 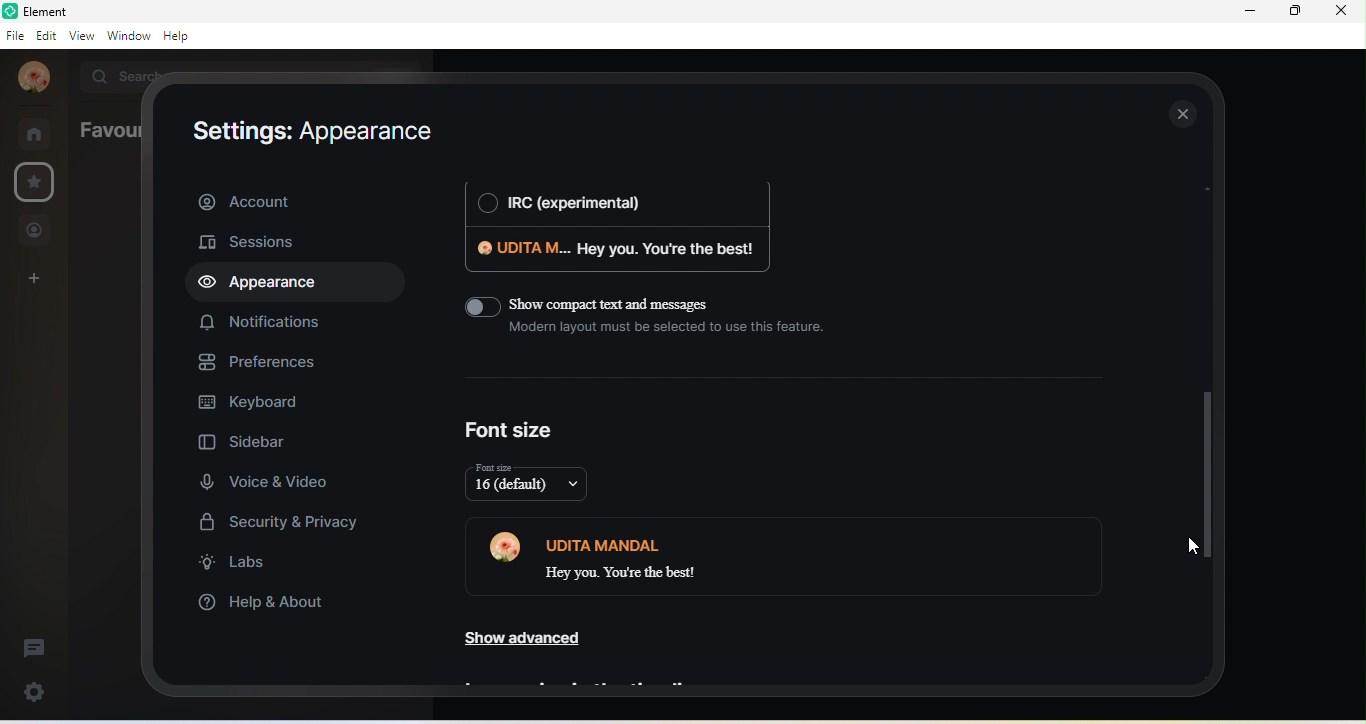 I want to click on close, so click(x=1346, y=16).